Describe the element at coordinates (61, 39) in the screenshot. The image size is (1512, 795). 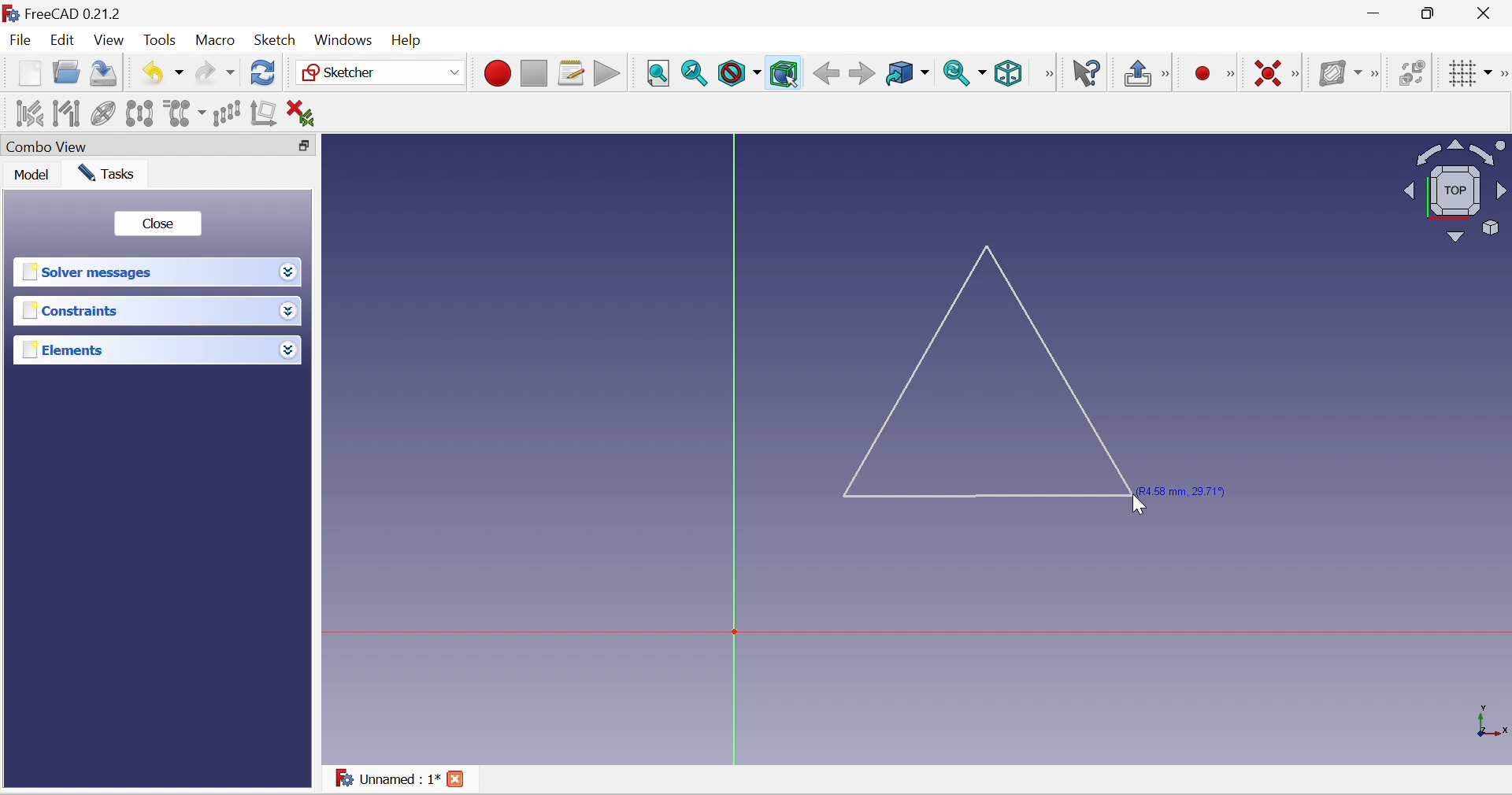
I see `Edit` at that location.